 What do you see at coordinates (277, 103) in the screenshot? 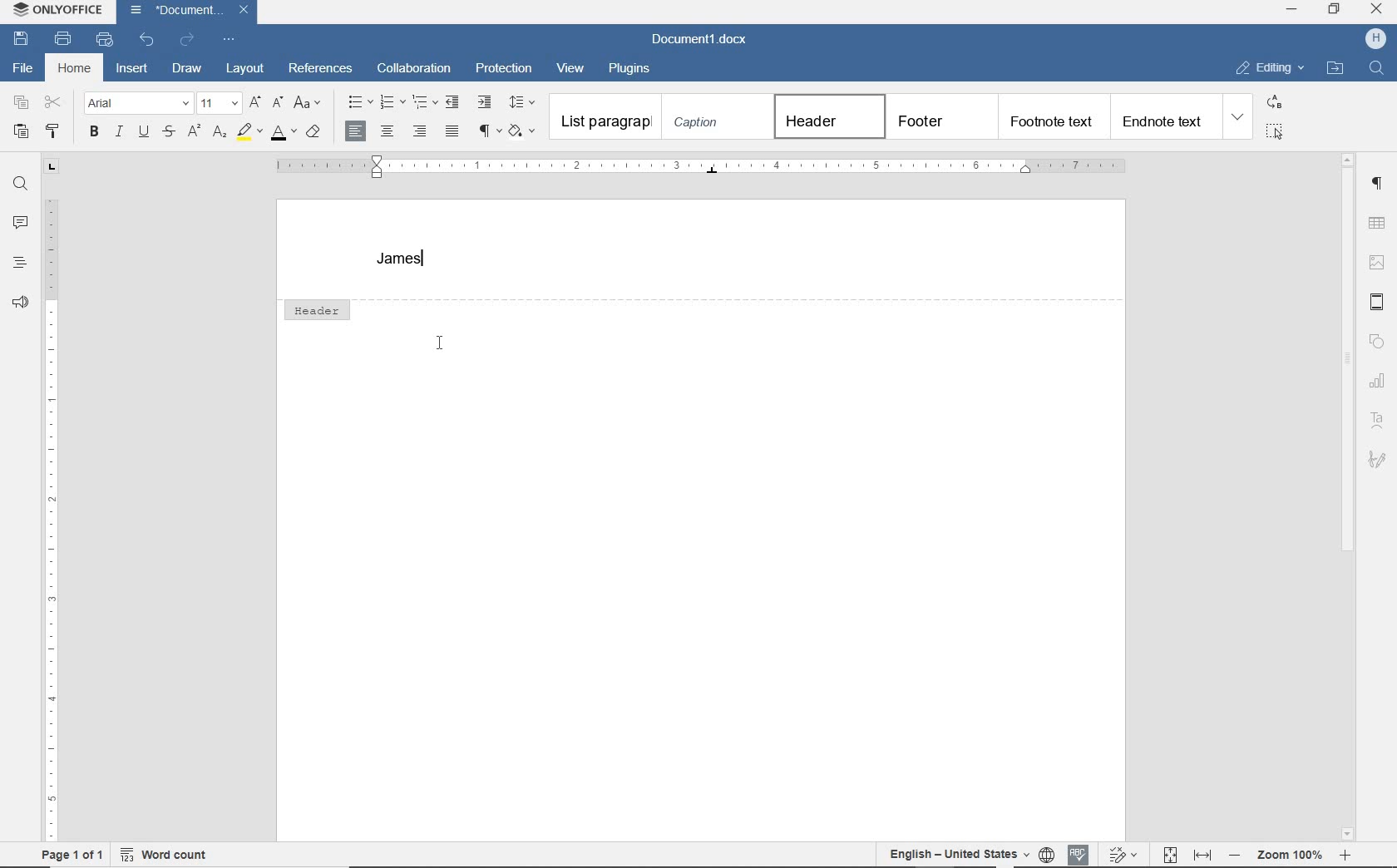
I see `decrement font size` at bounding box center [277, 103].